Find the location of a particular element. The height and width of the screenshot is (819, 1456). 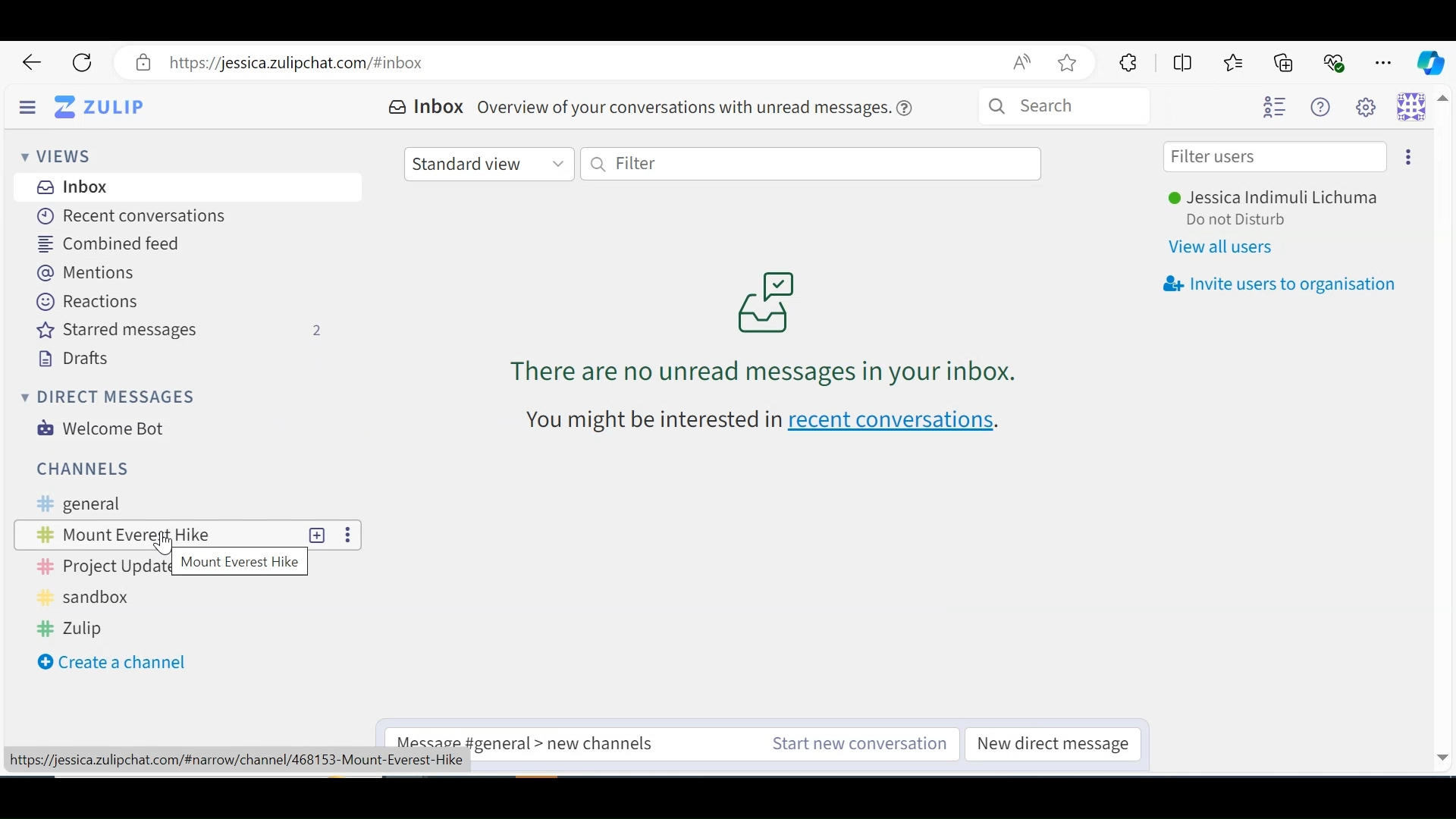

Inbox is located at coordinates (74, 187).